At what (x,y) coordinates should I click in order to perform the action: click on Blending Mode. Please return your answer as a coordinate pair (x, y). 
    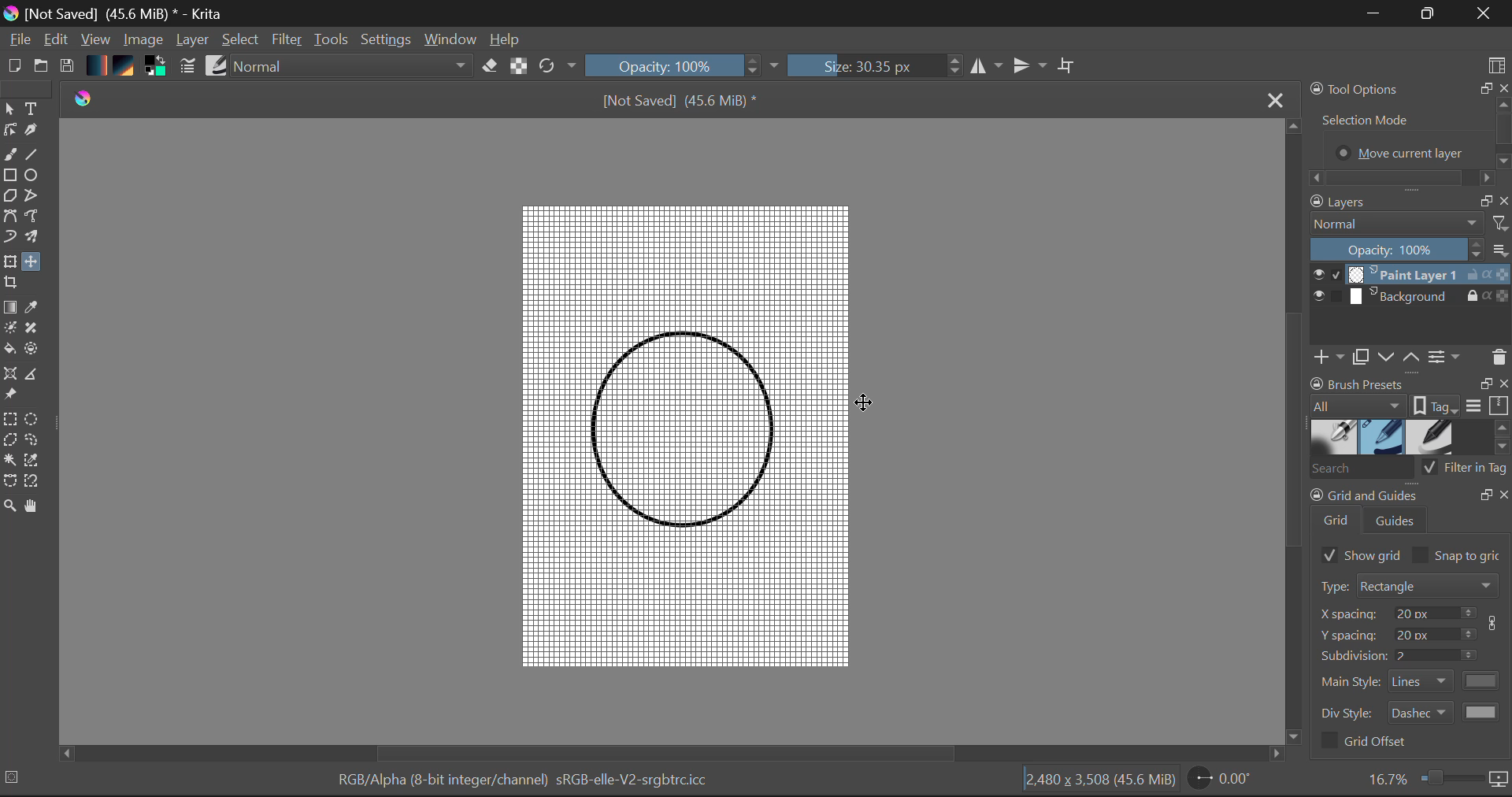
    Looking at the image, I should click on (1409, 224).